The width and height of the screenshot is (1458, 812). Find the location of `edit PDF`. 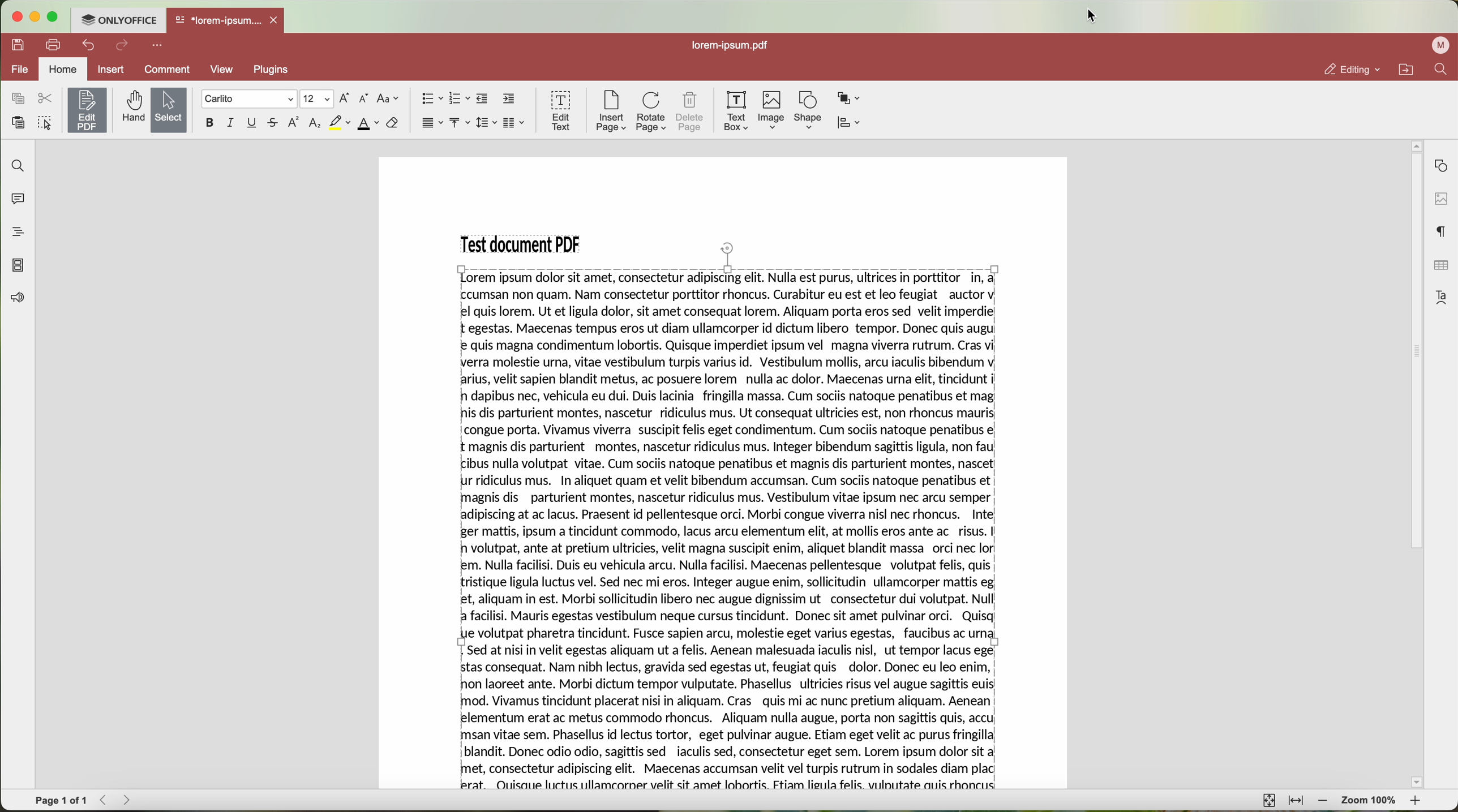

edit PDF is located at coordinates (87, 110).